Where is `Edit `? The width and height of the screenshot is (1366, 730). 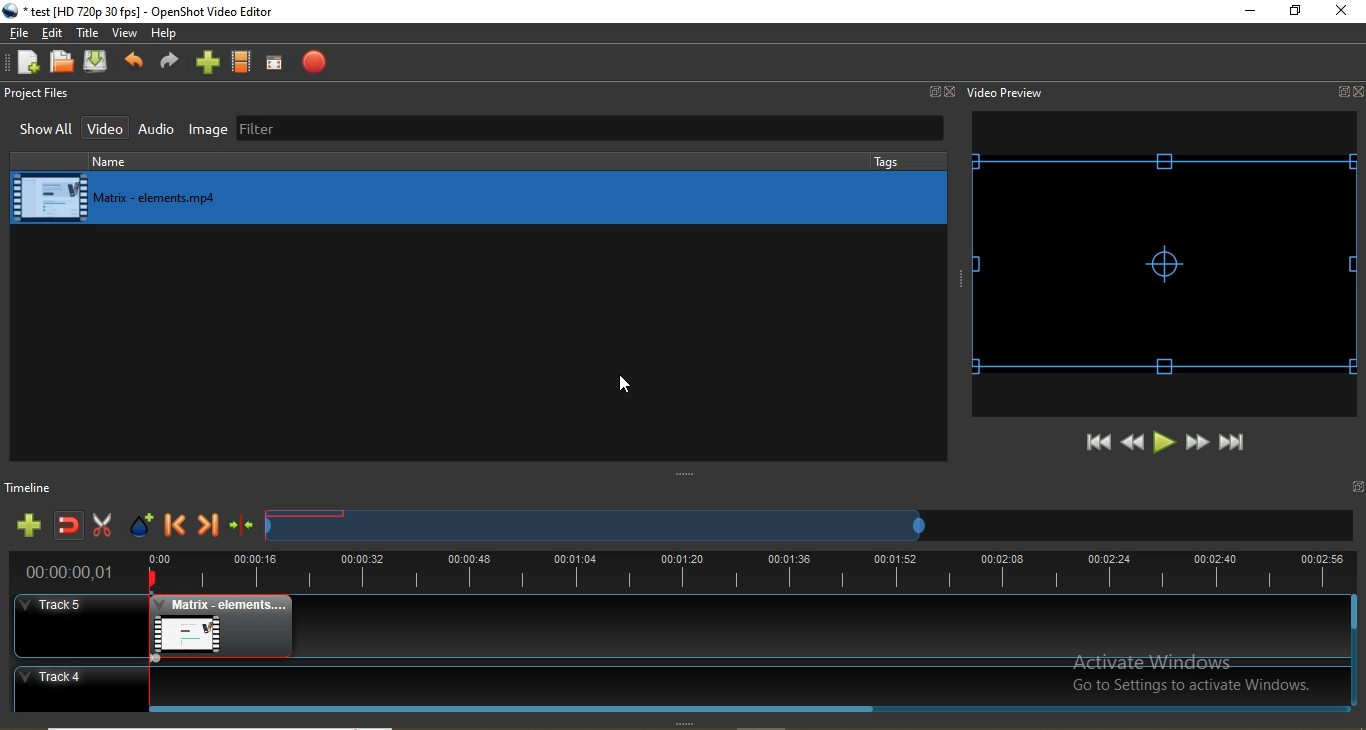 Edit  is located at coordinates (55, 33).